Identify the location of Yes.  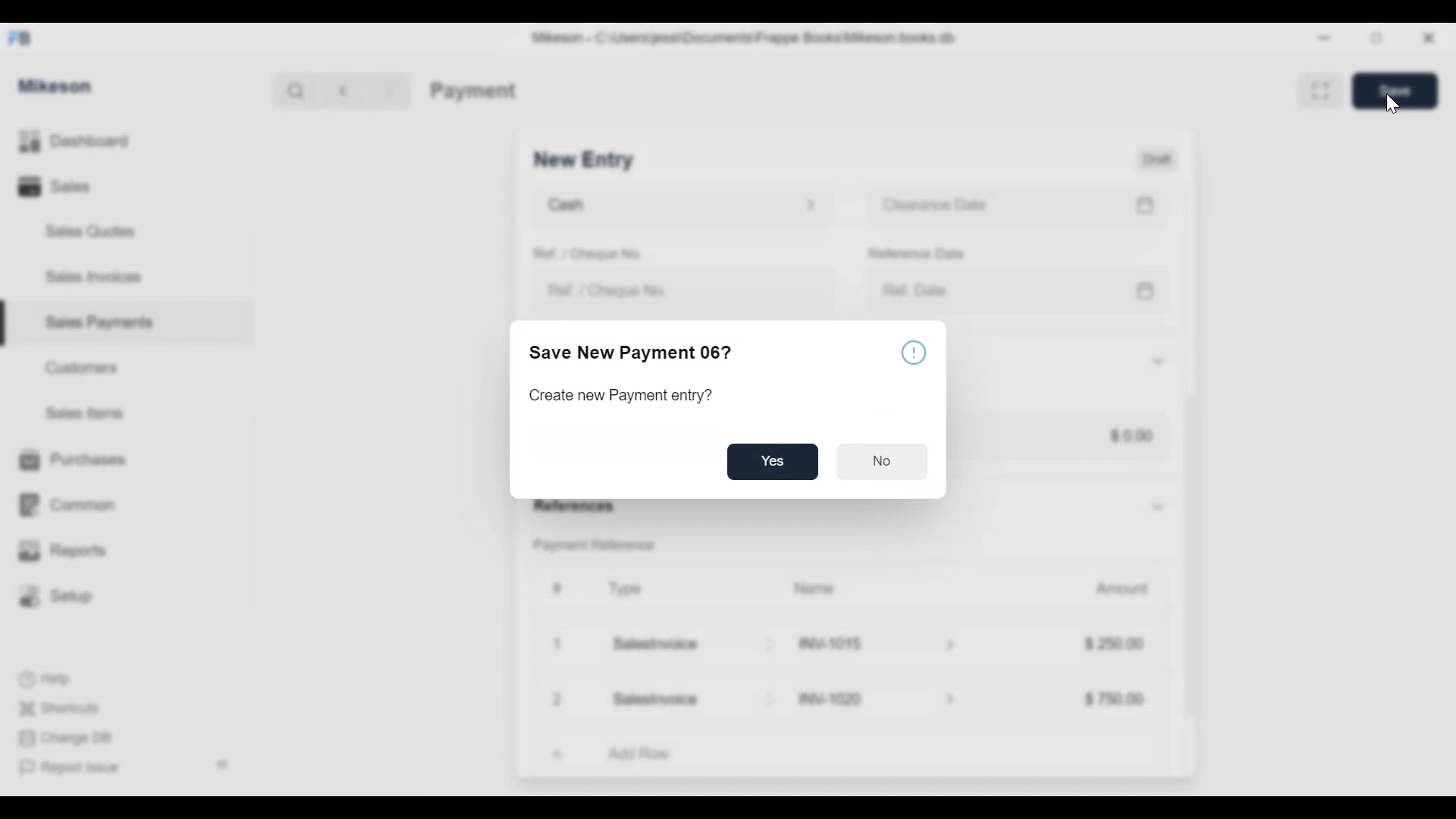
(778, 463).